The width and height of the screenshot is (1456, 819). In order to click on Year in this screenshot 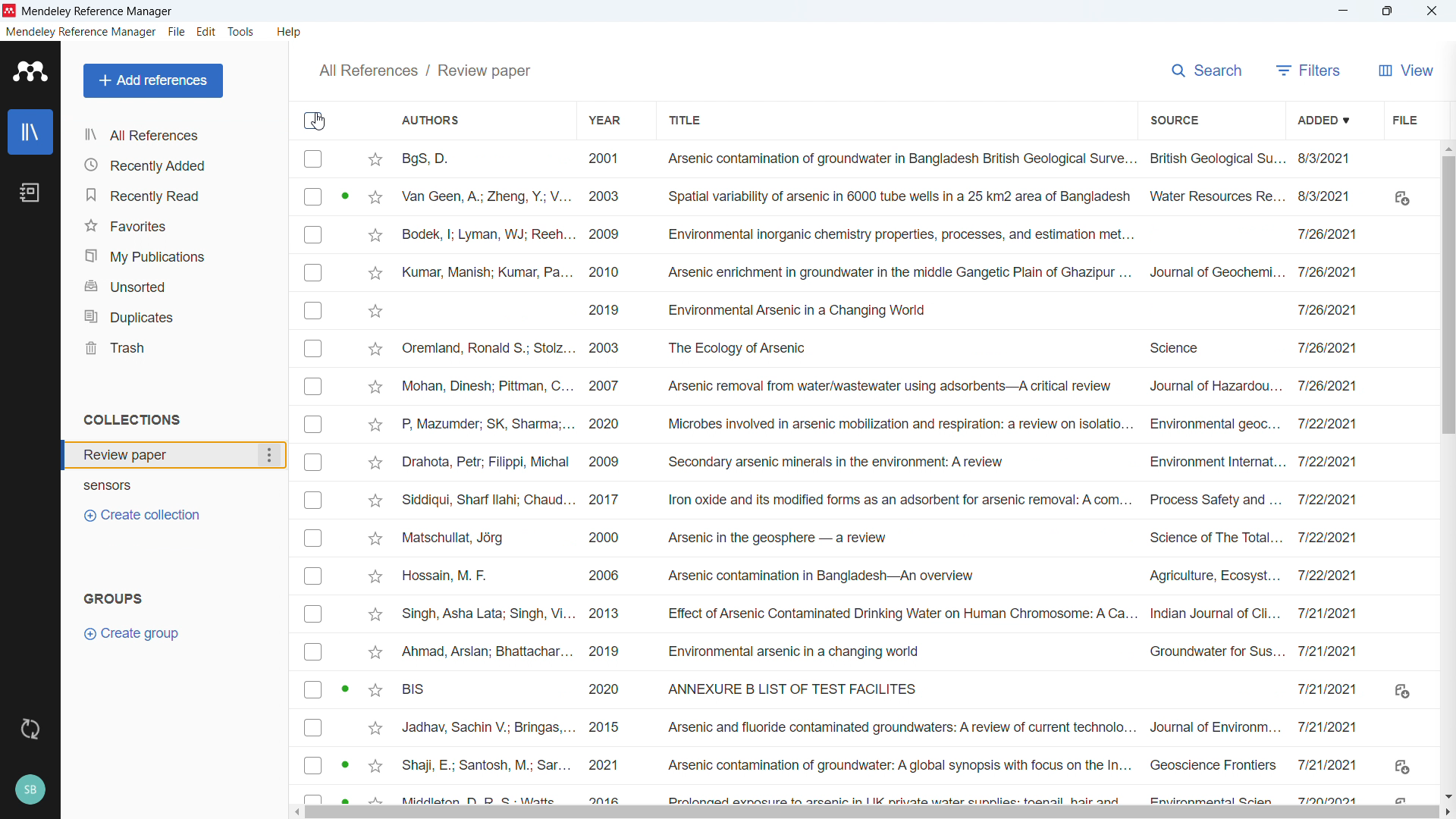, I will do `click(607, 119)`.